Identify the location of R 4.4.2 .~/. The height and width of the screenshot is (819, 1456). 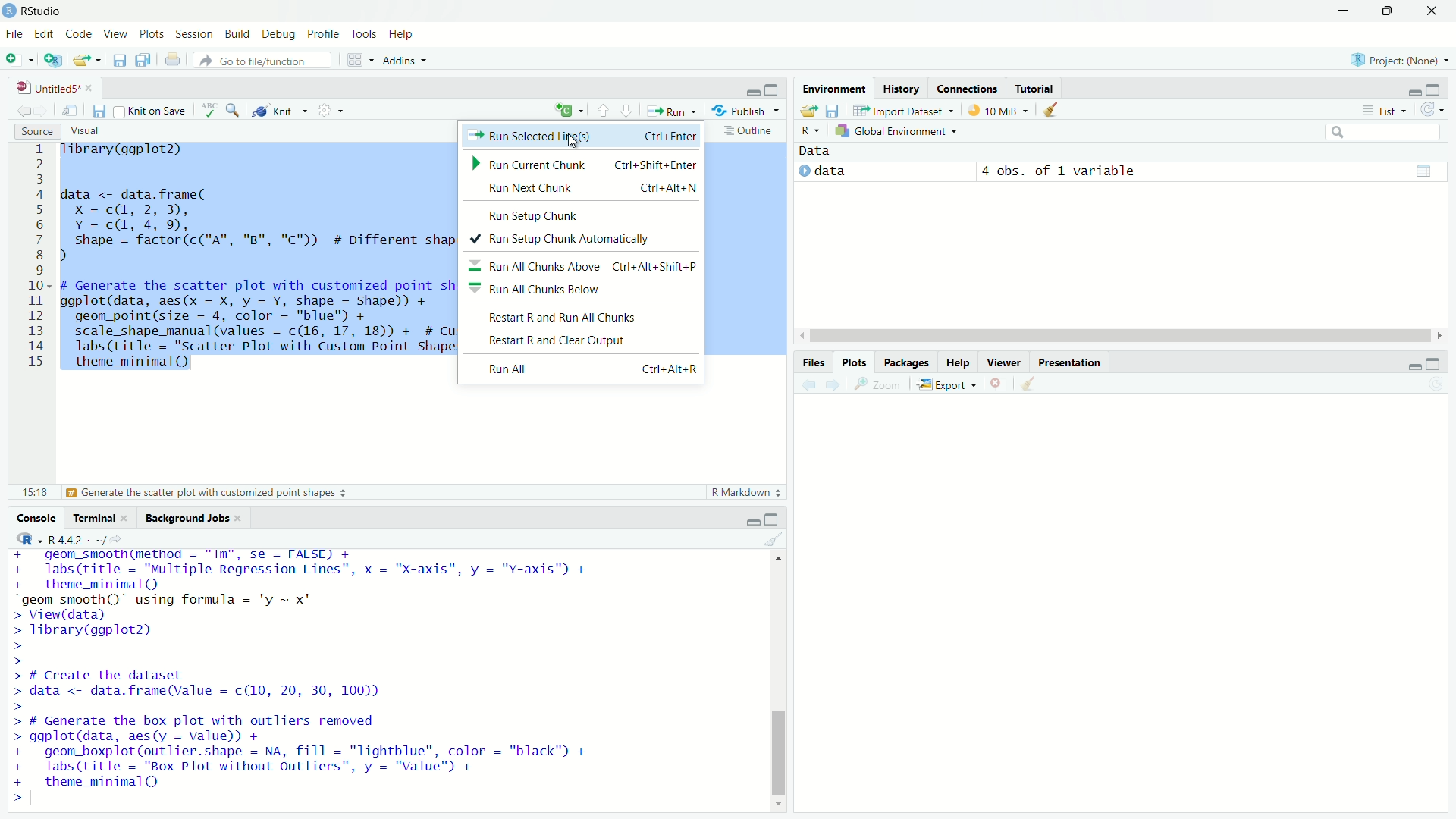
(77, 540).